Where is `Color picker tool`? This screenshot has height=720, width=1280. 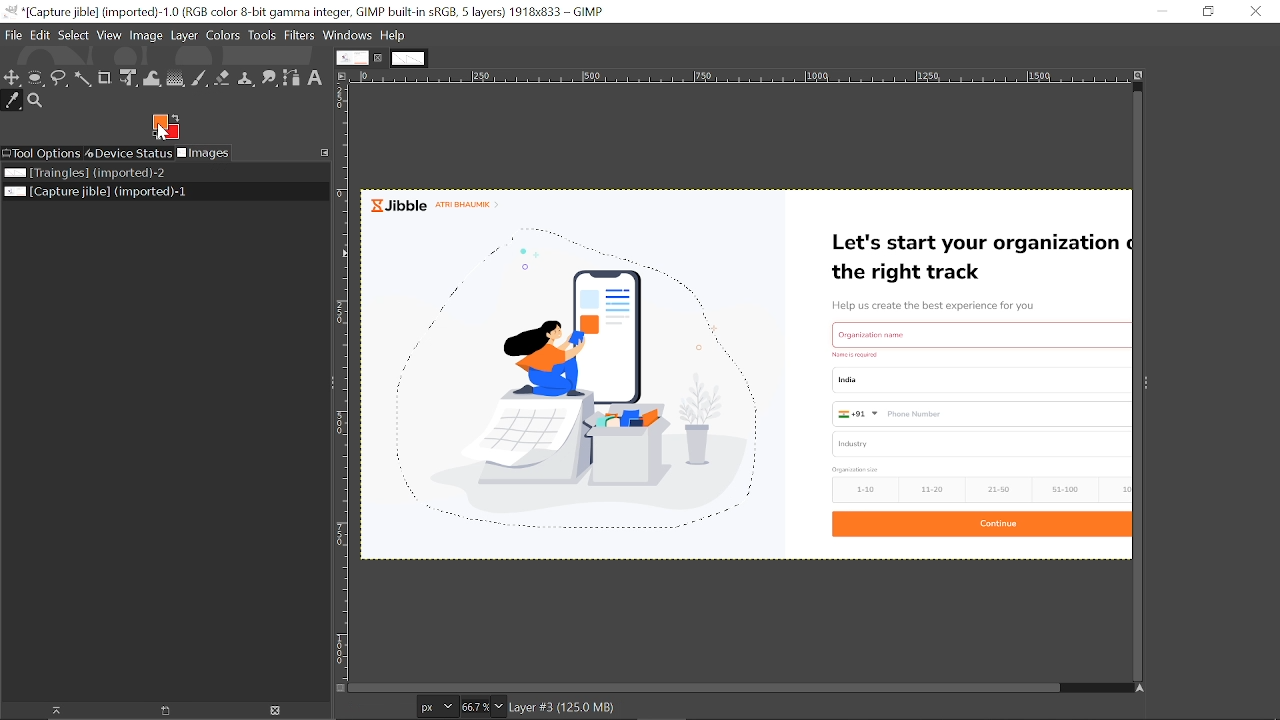
Color picker tool is located at coordinates (13, 102).